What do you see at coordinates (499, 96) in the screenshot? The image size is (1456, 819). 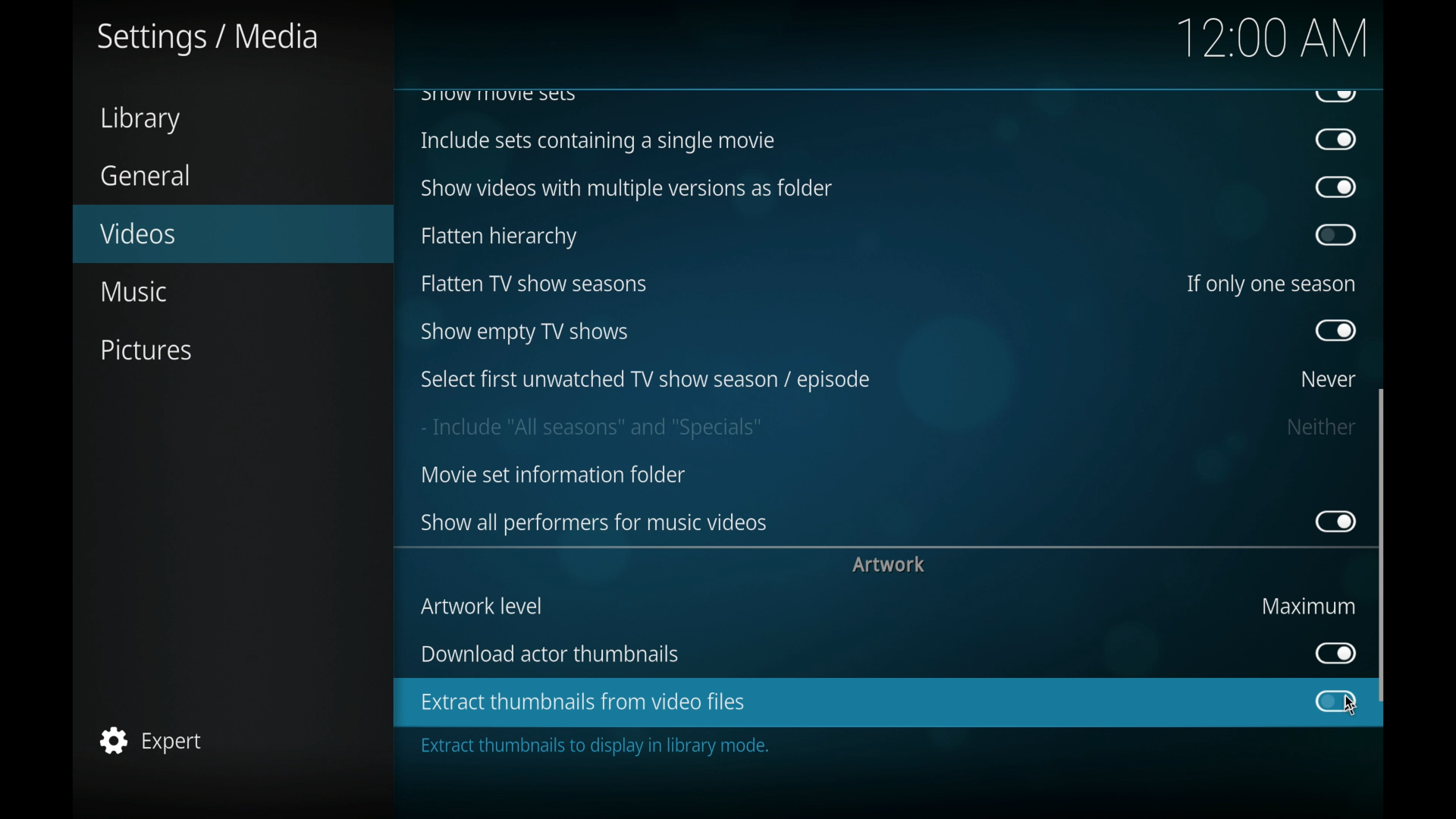 I see `show movie sets` at bounding box center [499, 96].